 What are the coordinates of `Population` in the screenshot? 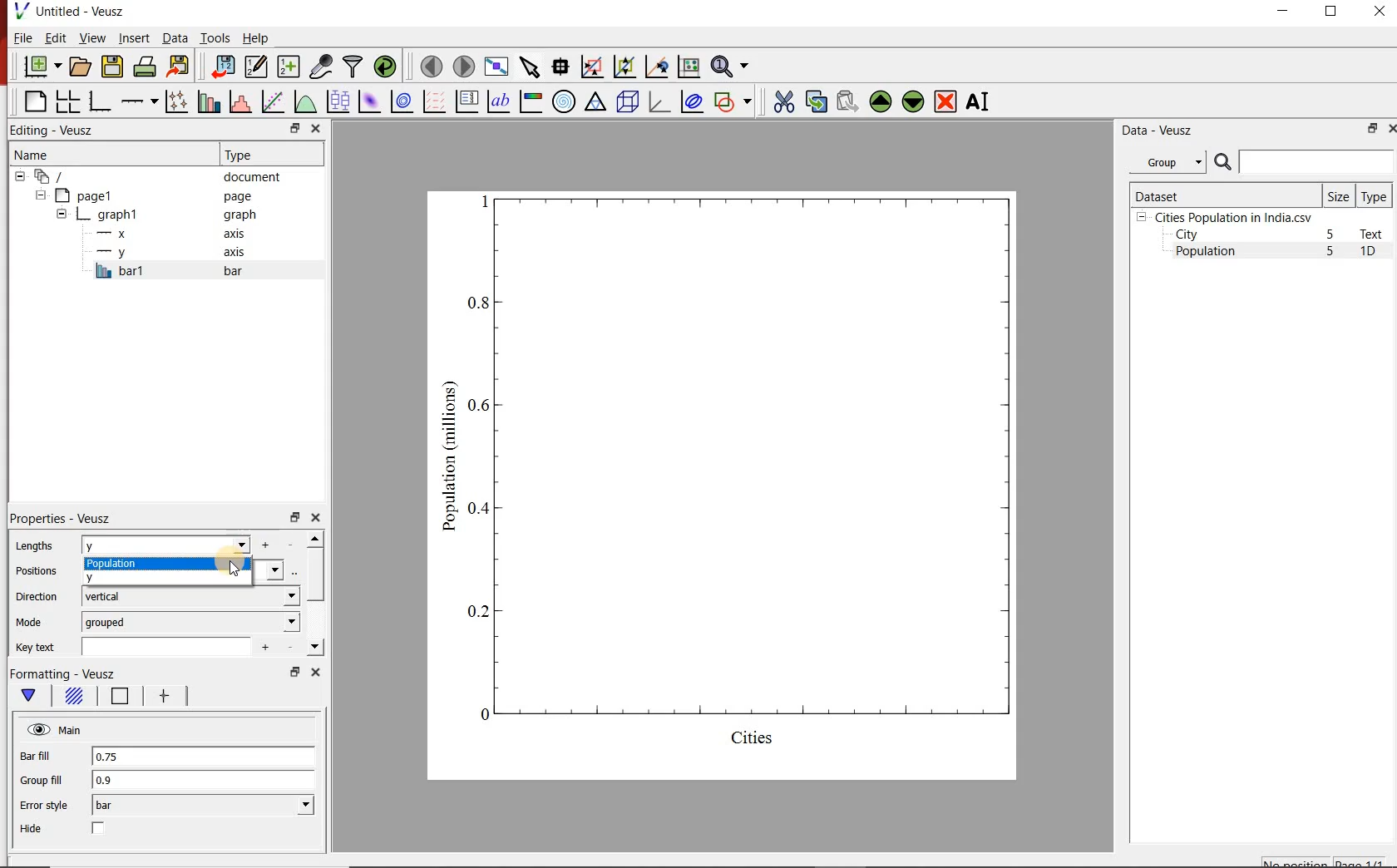 It's located at (1206, 253).